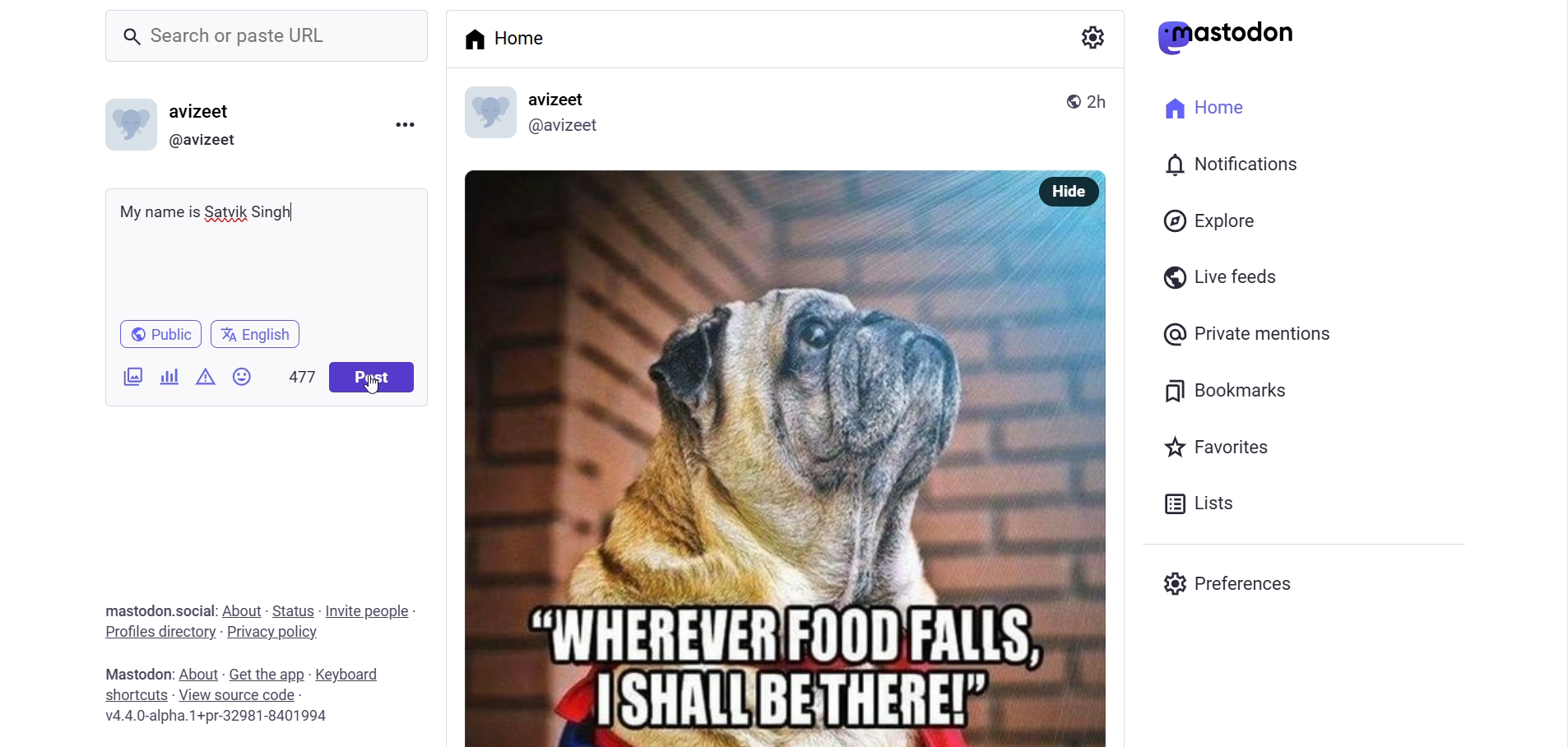 Image resolution: width=1568 pixels, height=747 pixels. I want to click on more option, so click(411, 128).